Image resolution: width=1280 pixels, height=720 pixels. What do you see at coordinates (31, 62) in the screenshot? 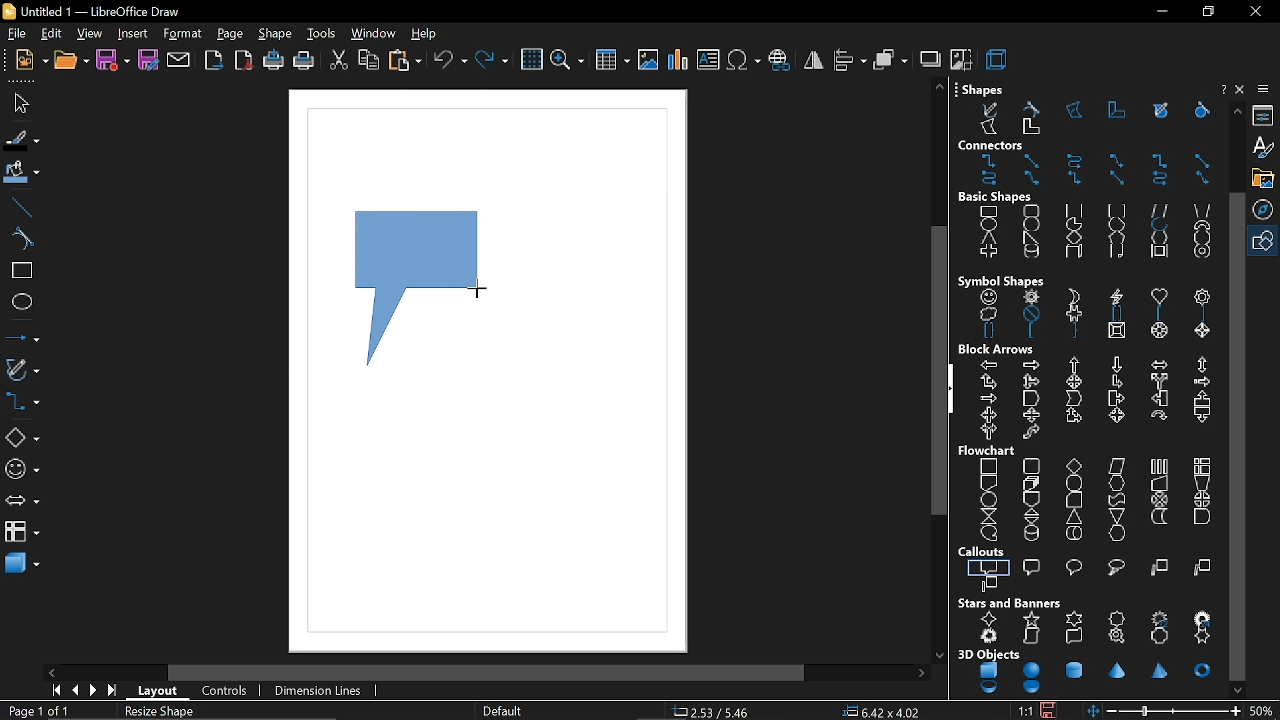
I see `new` at bounding box center [31, 62].